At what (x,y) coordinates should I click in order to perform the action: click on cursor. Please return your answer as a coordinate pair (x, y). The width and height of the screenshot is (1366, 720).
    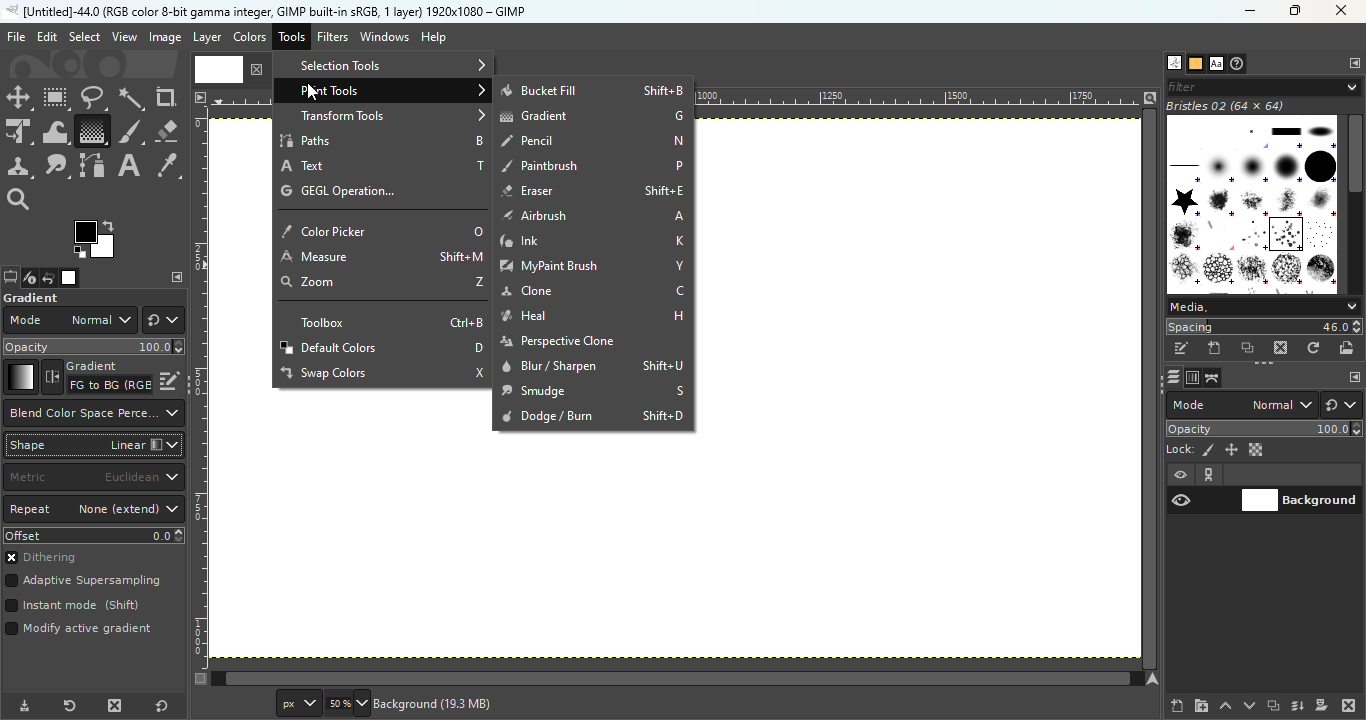
    Looking at the image, I should click on (319, 90).